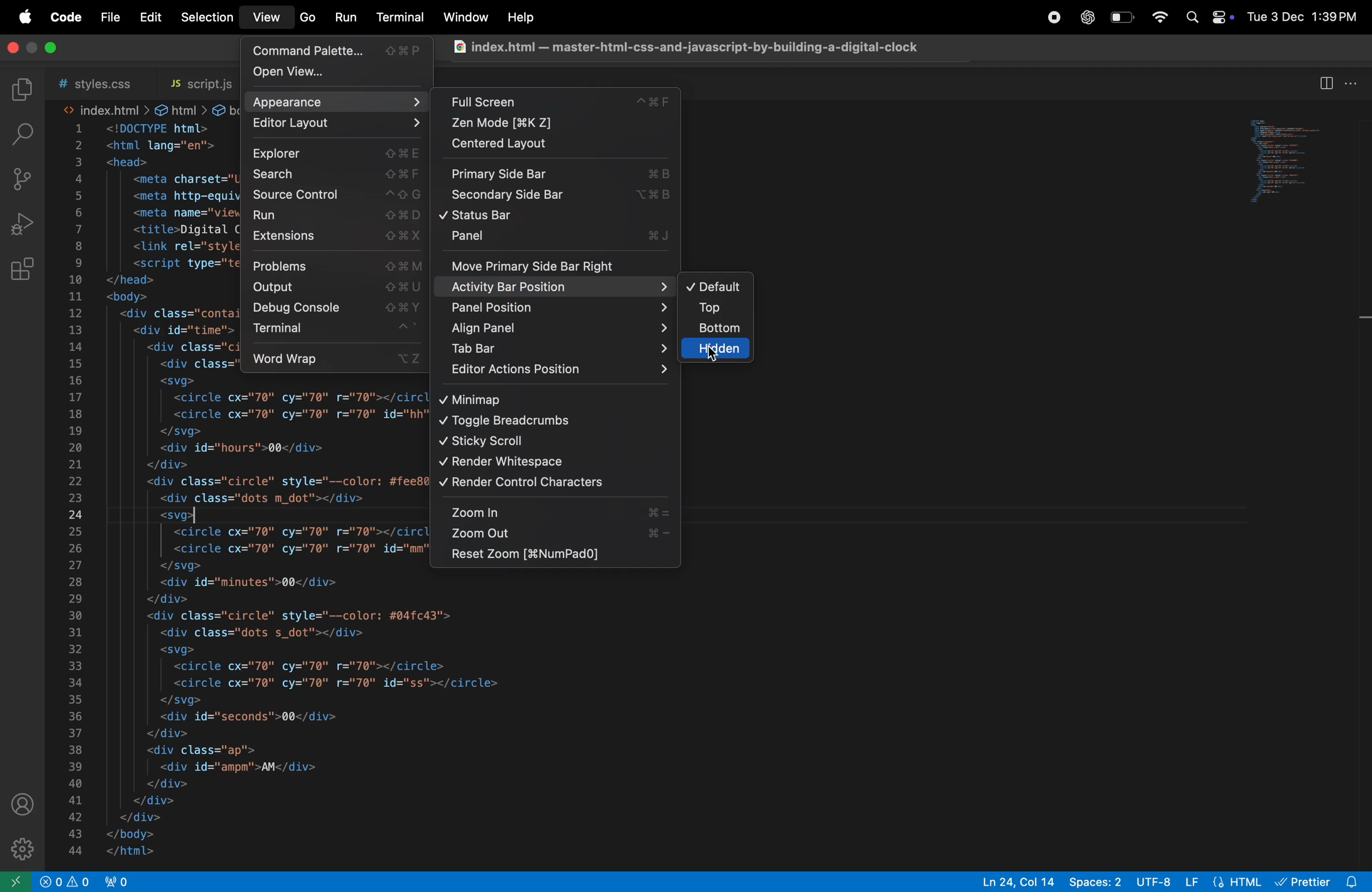 Image resolution: width=1372 pixels, height=892 pixels. Describe the element at coordinates (524, 18) in the screenshot. I see `help` at that location.